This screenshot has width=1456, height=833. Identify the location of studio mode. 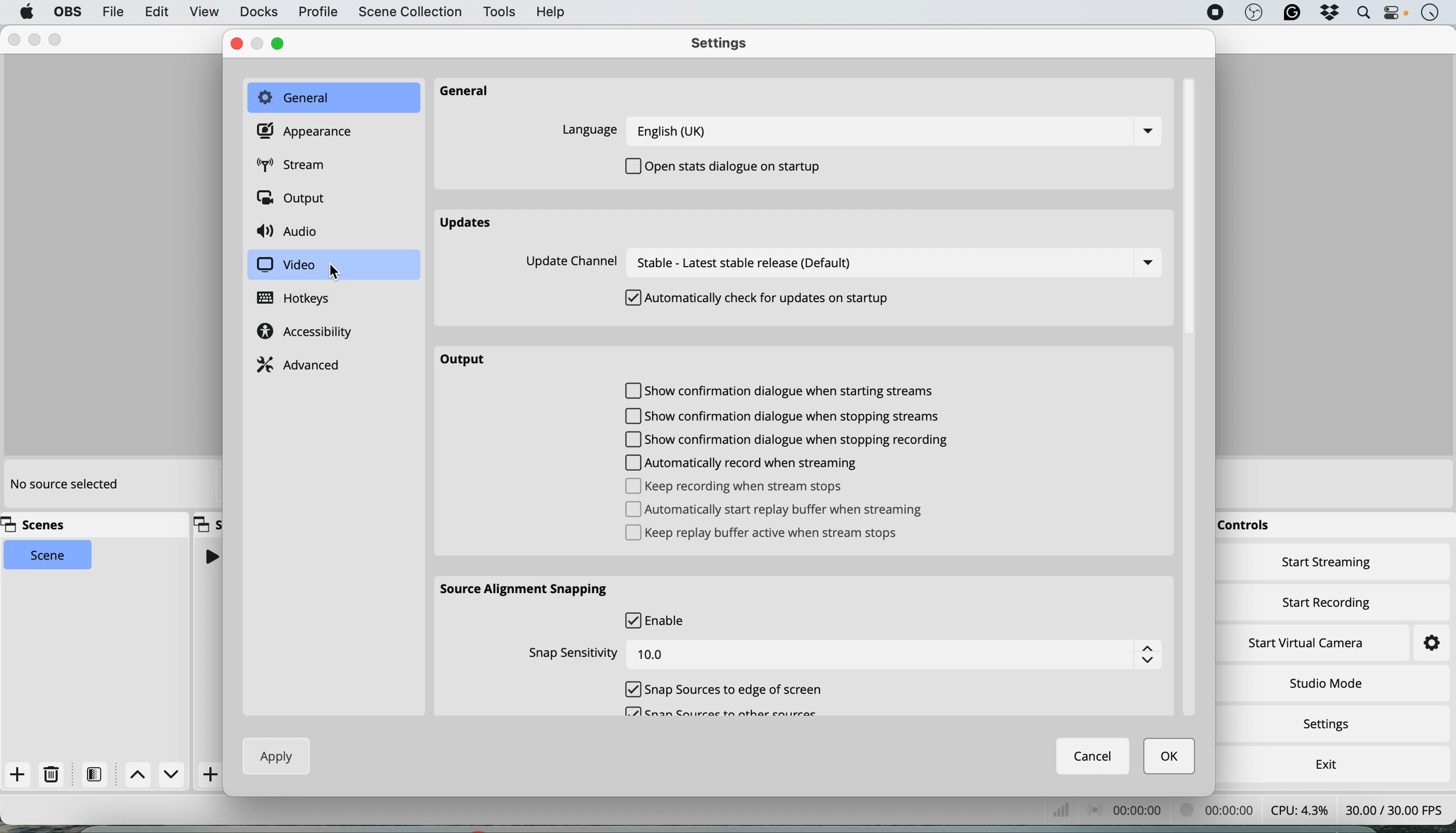
(1325, 683).